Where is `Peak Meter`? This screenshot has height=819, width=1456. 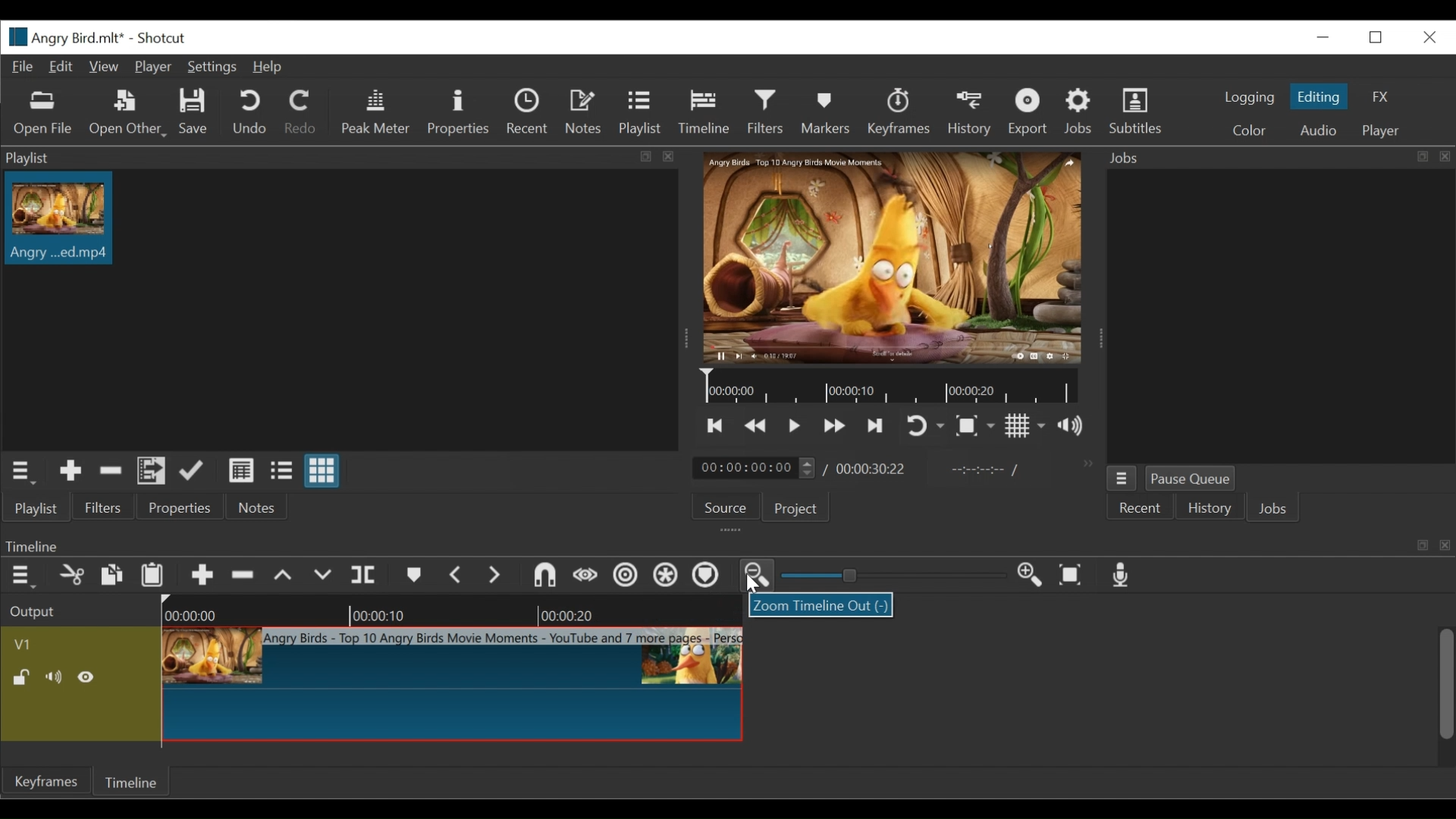 Peak Meter is located at coordinates (376, 113).